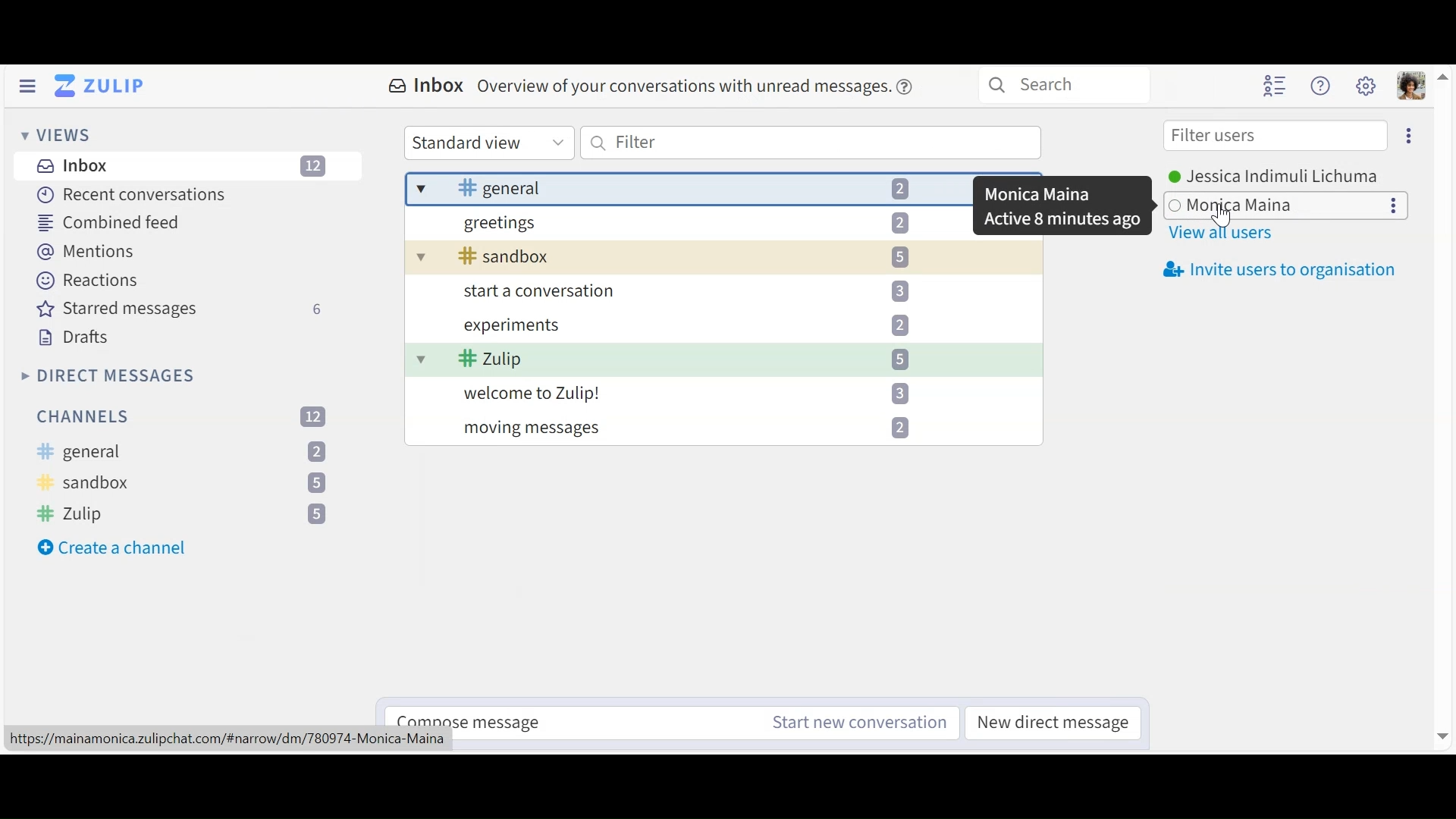 The height and width of the screenshot is (819, 1456). I want to click on Filter channels, so click(171, 415).